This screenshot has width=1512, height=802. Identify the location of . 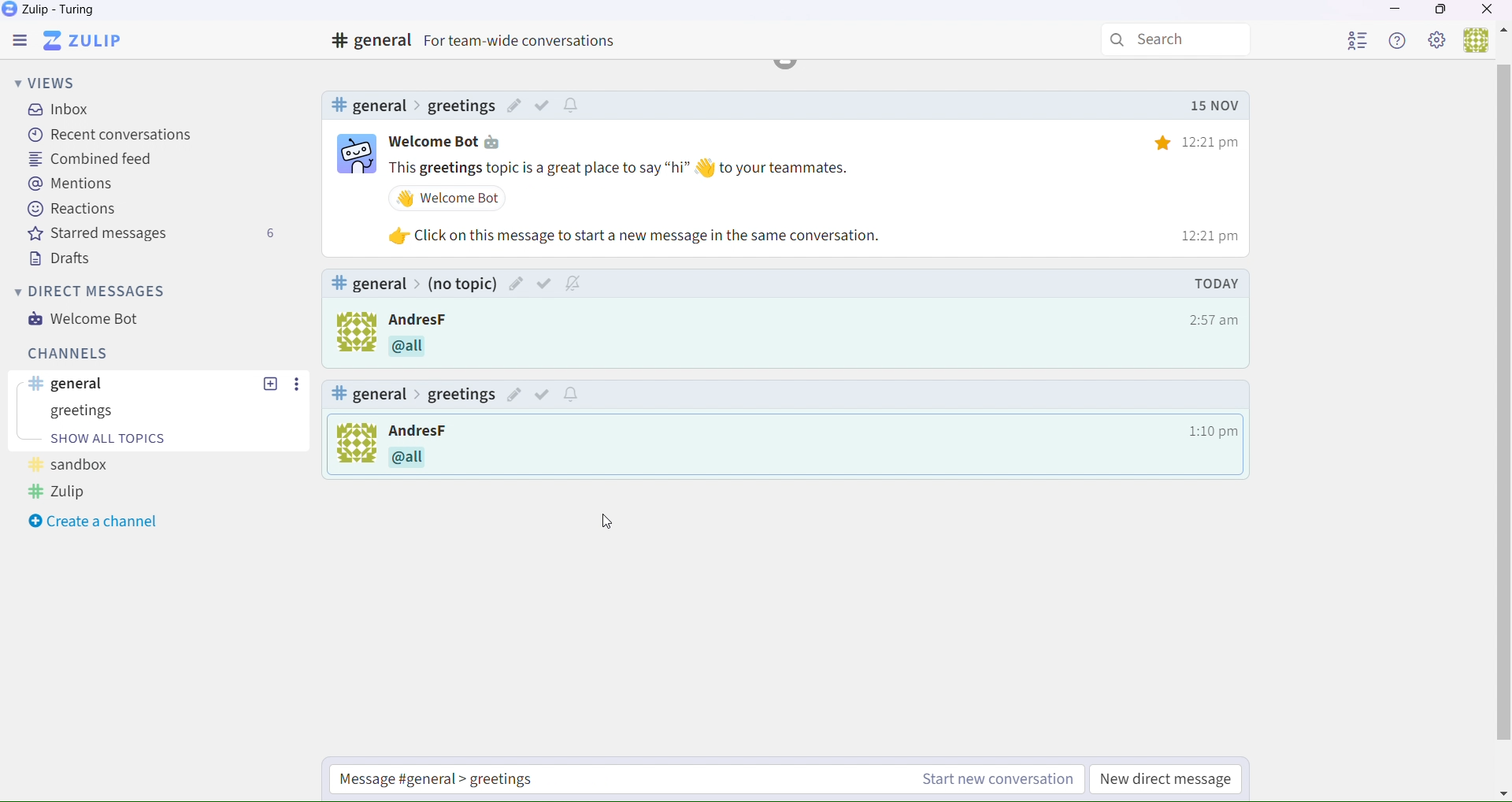
(449, 431).